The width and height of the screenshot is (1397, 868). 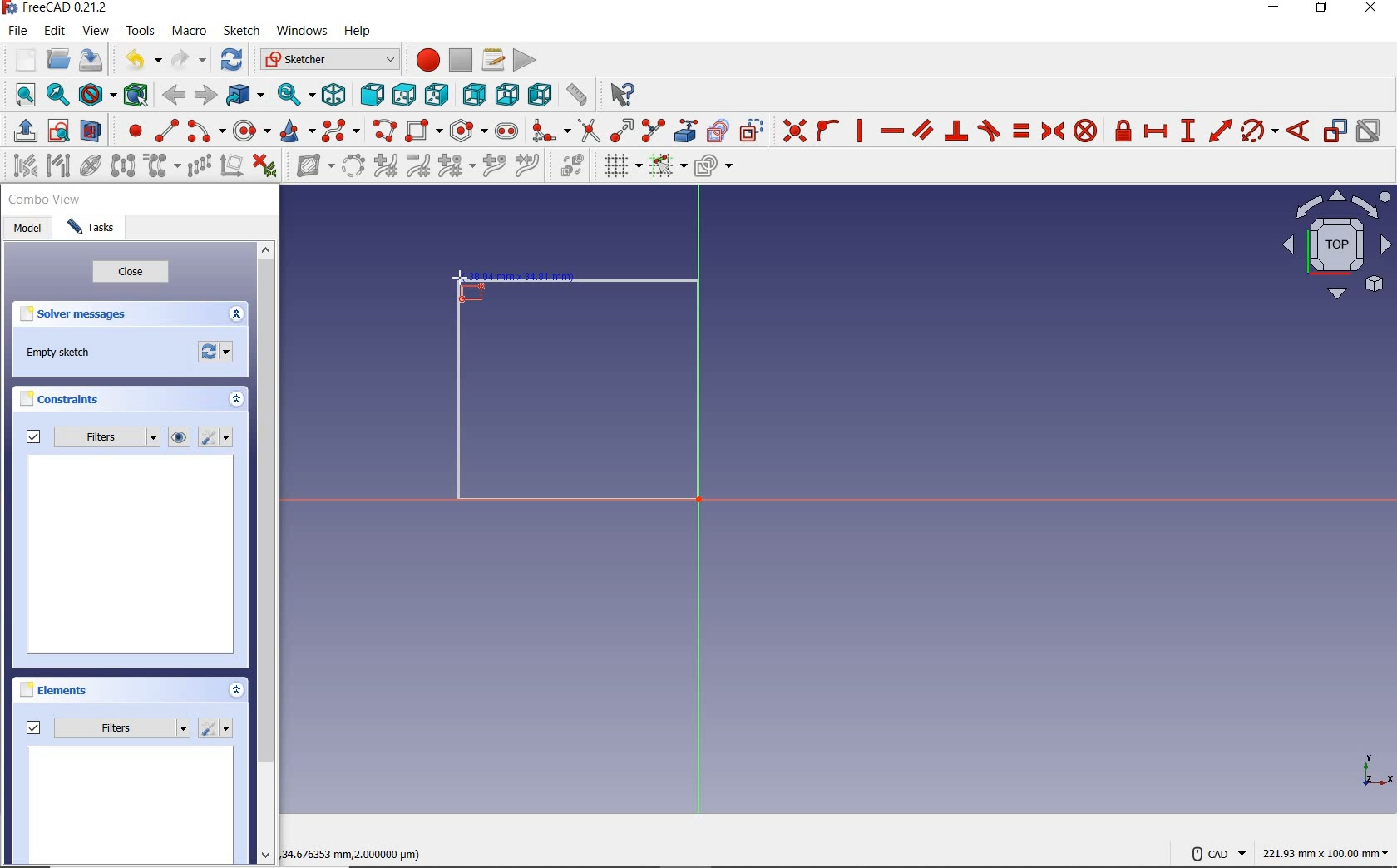 What do you see at coordinates (1219, 131) in the screenshot?
I see `constrain distance` at bounding box center [1219, 131].